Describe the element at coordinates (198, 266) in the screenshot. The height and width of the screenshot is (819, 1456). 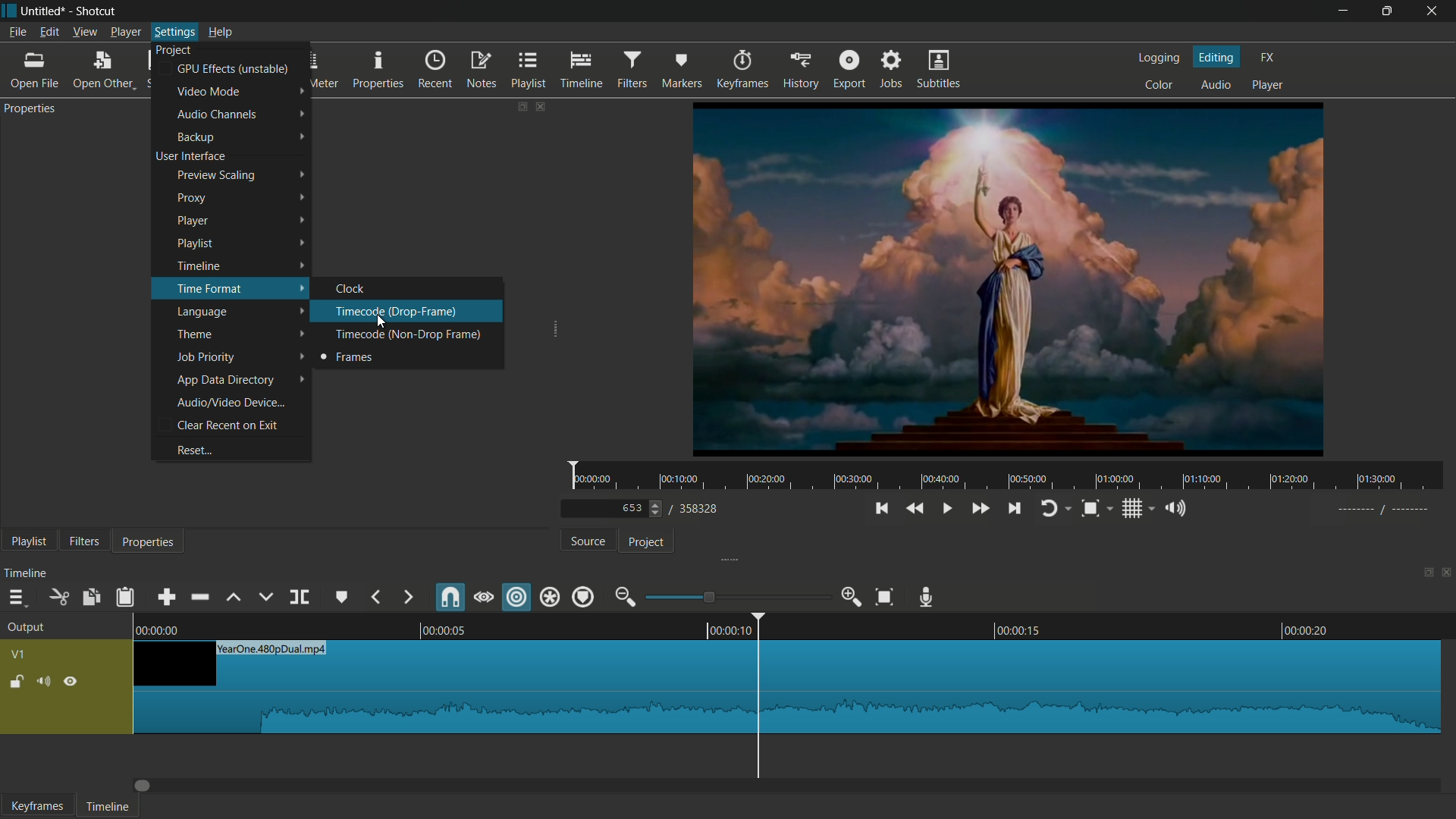
I see `timeline` at that location.